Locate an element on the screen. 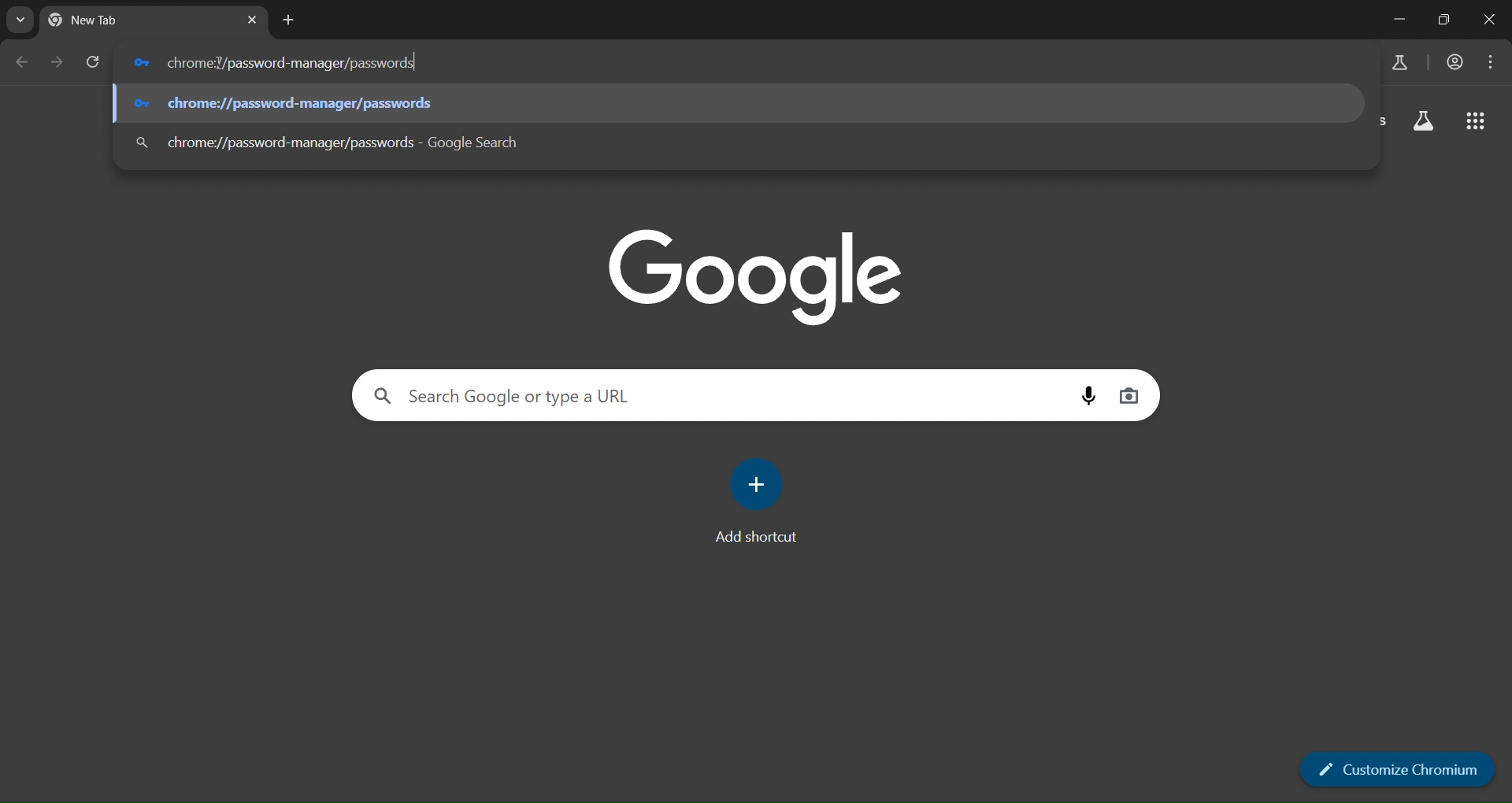 The image size is (1512, 803). google apps is located at coordinates (1477, 124).